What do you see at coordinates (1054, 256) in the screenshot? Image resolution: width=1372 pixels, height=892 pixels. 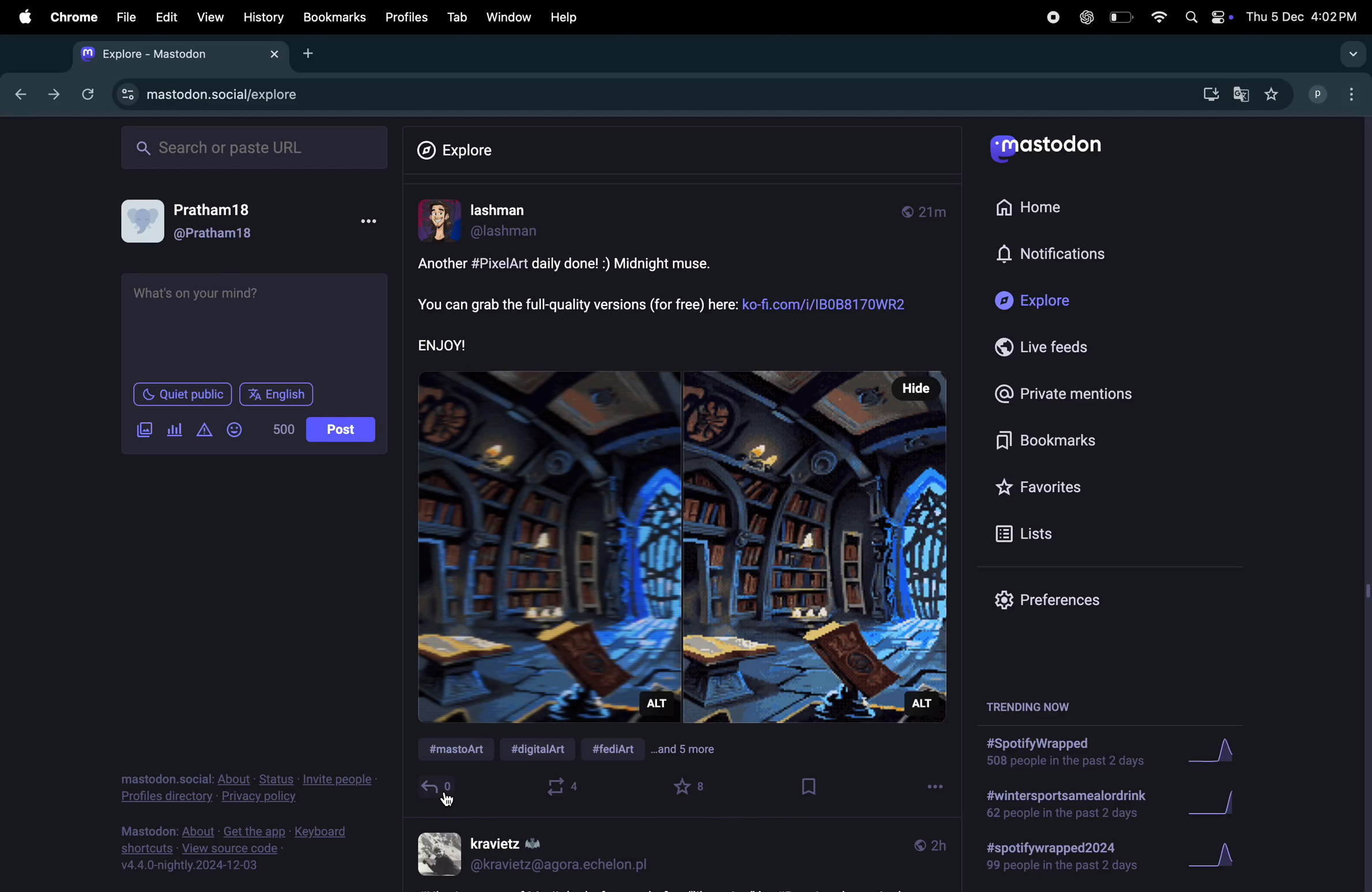 I see `notifications` at bounding box center [1054, 256].